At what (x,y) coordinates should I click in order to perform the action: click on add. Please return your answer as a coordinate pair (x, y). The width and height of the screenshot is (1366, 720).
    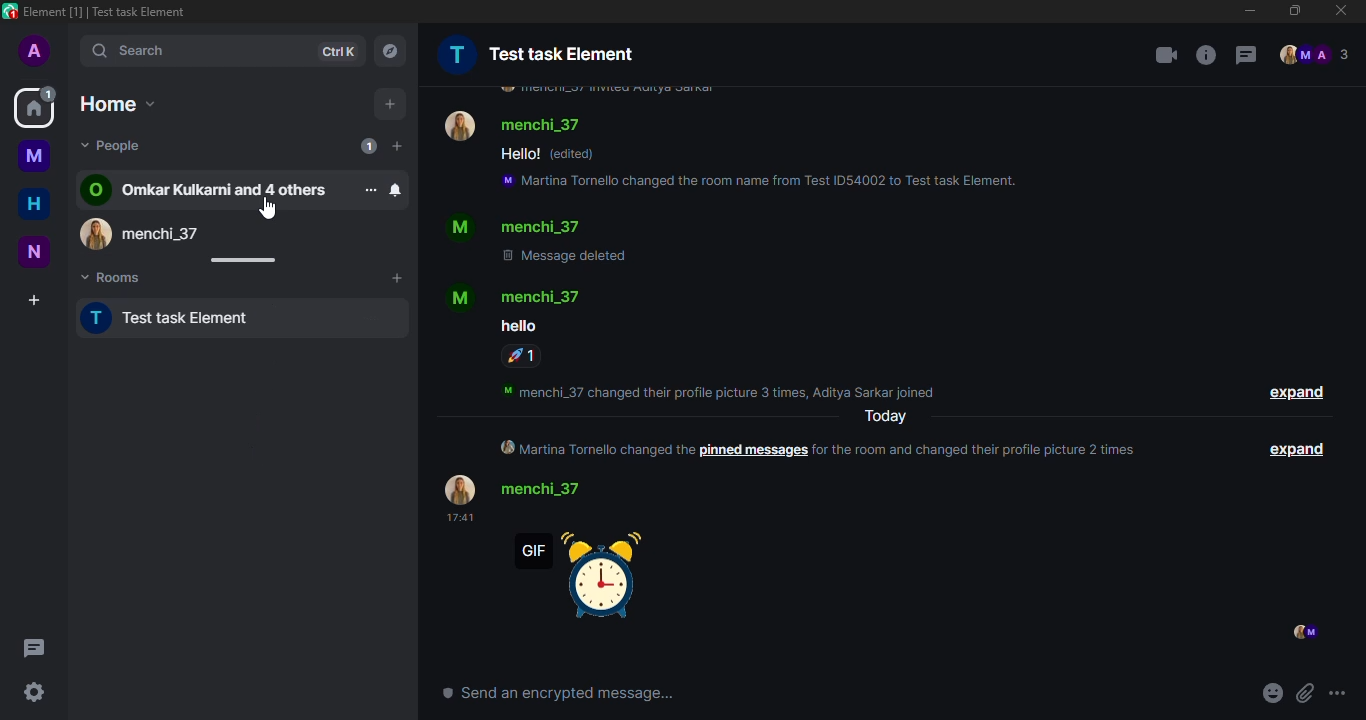
    Looking at the image, I should click on (396, 279).